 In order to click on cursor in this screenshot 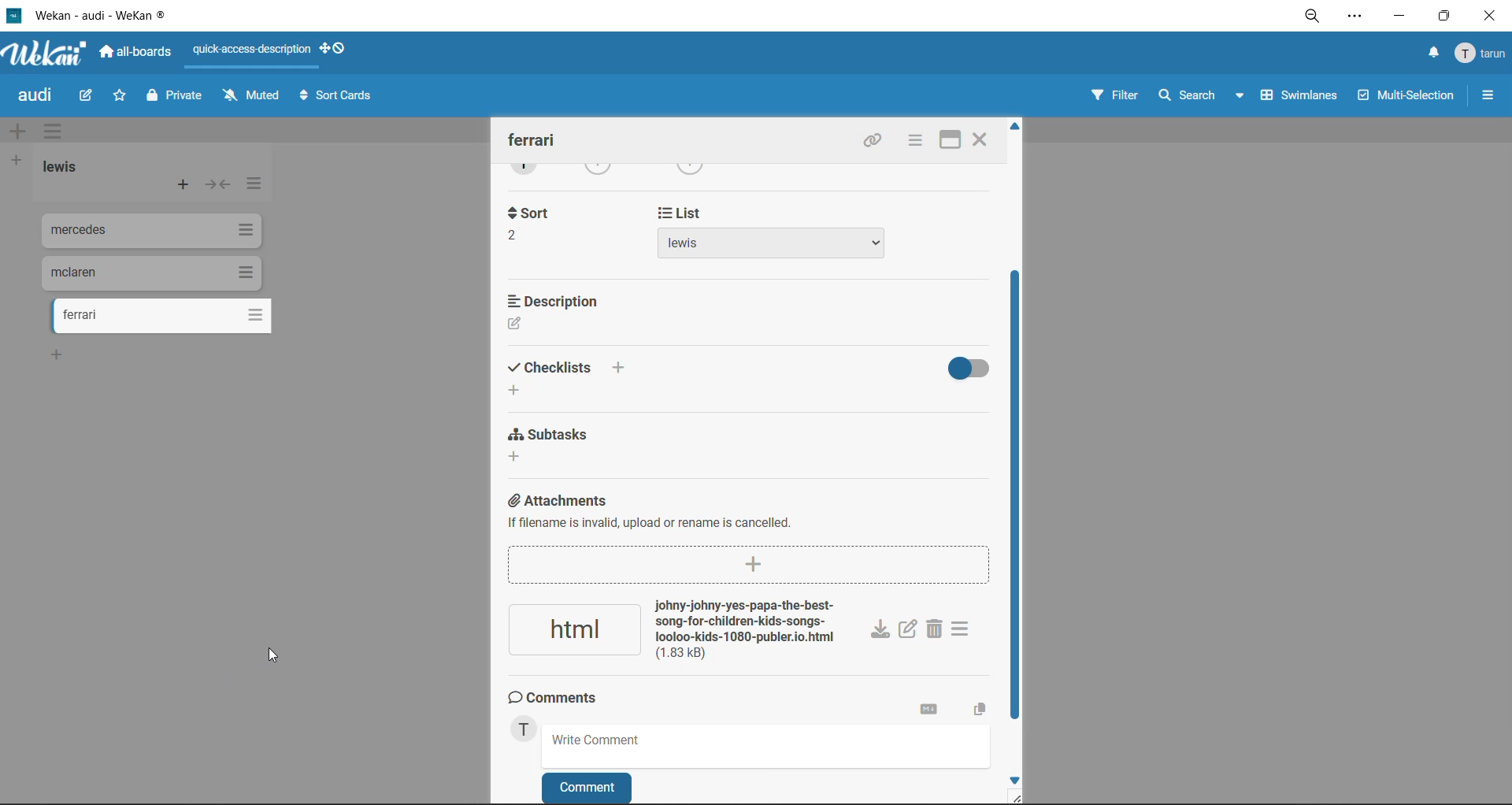, I will do `click(272, 653)`.